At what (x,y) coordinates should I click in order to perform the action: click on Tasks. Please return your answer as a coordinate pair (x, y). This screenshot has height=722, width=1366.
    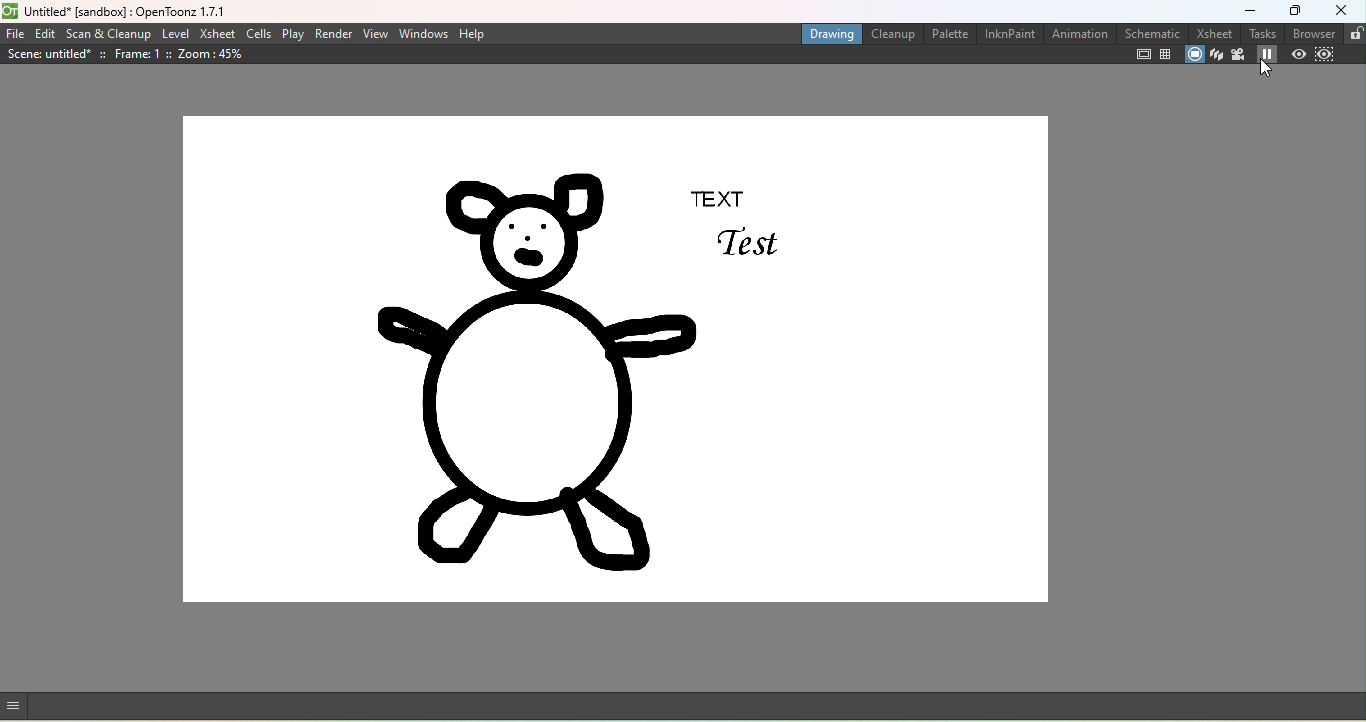
    Looking at the image, I should click on (1261, 31).